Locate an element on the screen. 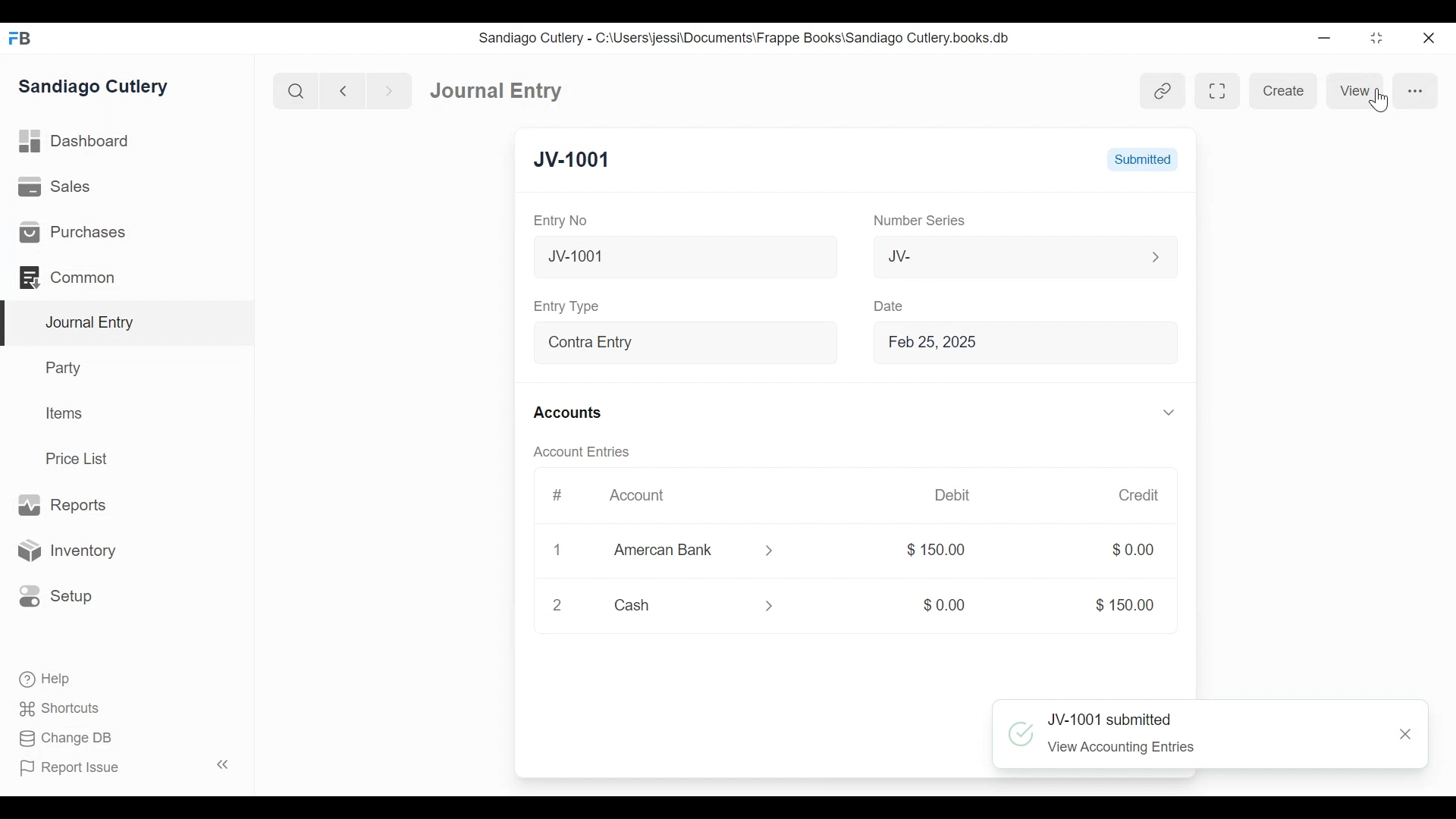  1 is located at coordinates (555, 550).